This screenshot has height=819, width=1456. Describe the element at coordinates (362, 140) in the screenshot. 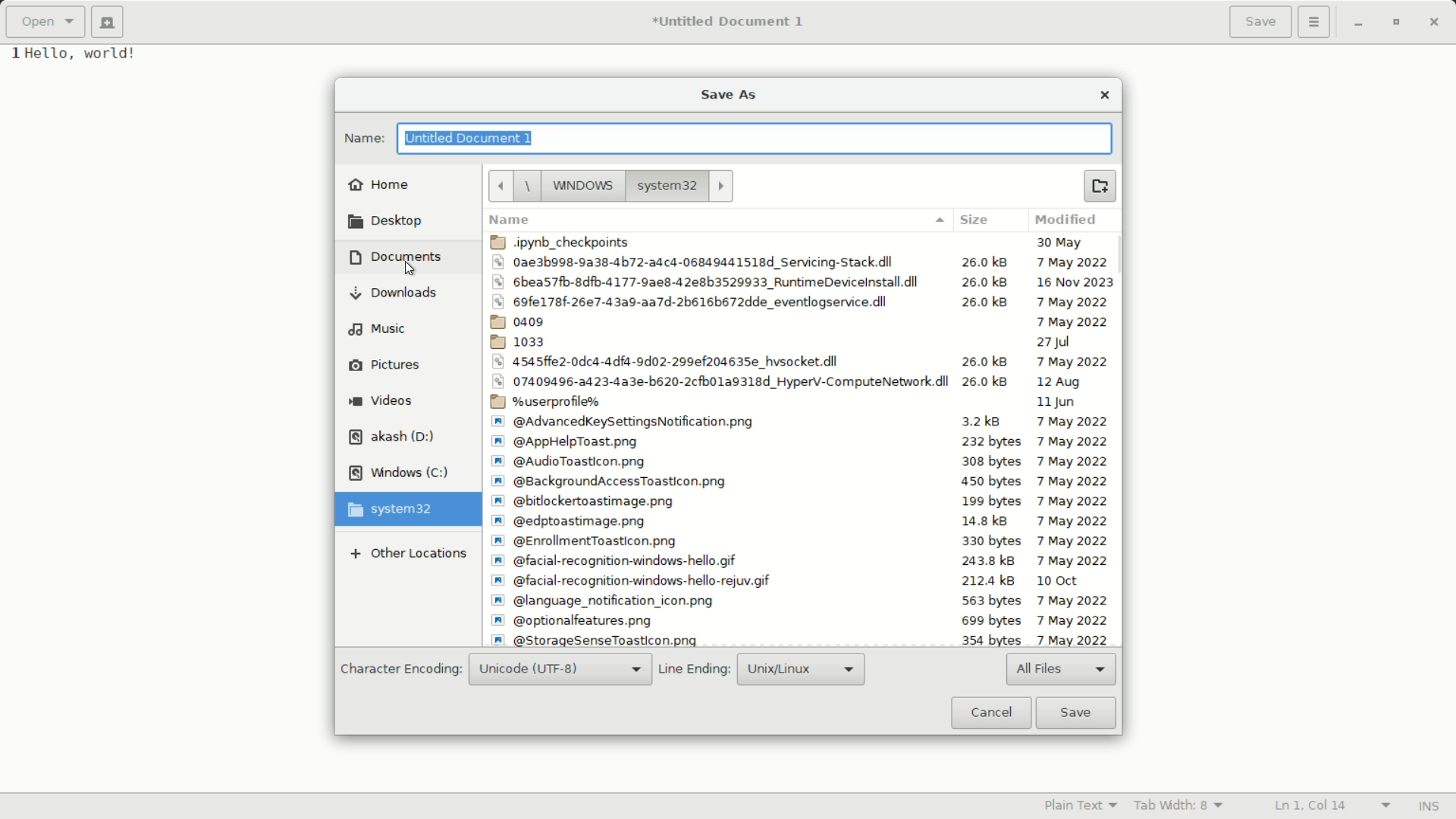

I see `name` at that location.